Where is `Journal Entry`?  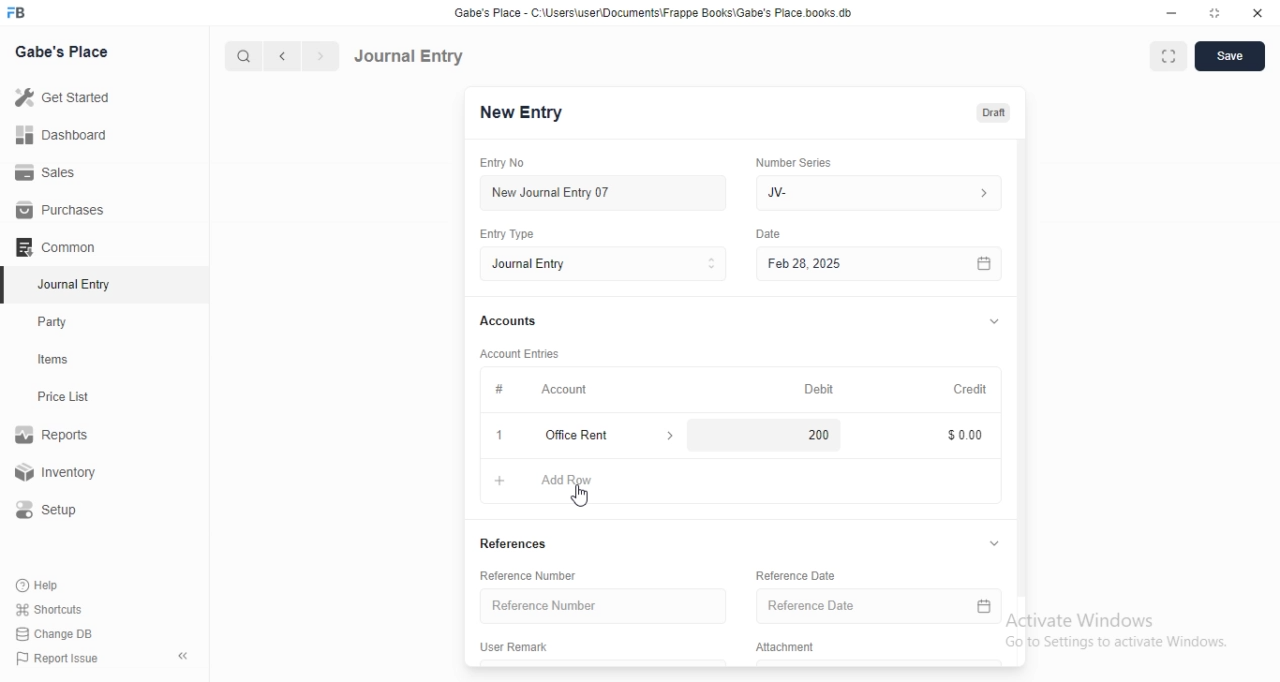 Journal Entry is located at coordinates (409, 56).